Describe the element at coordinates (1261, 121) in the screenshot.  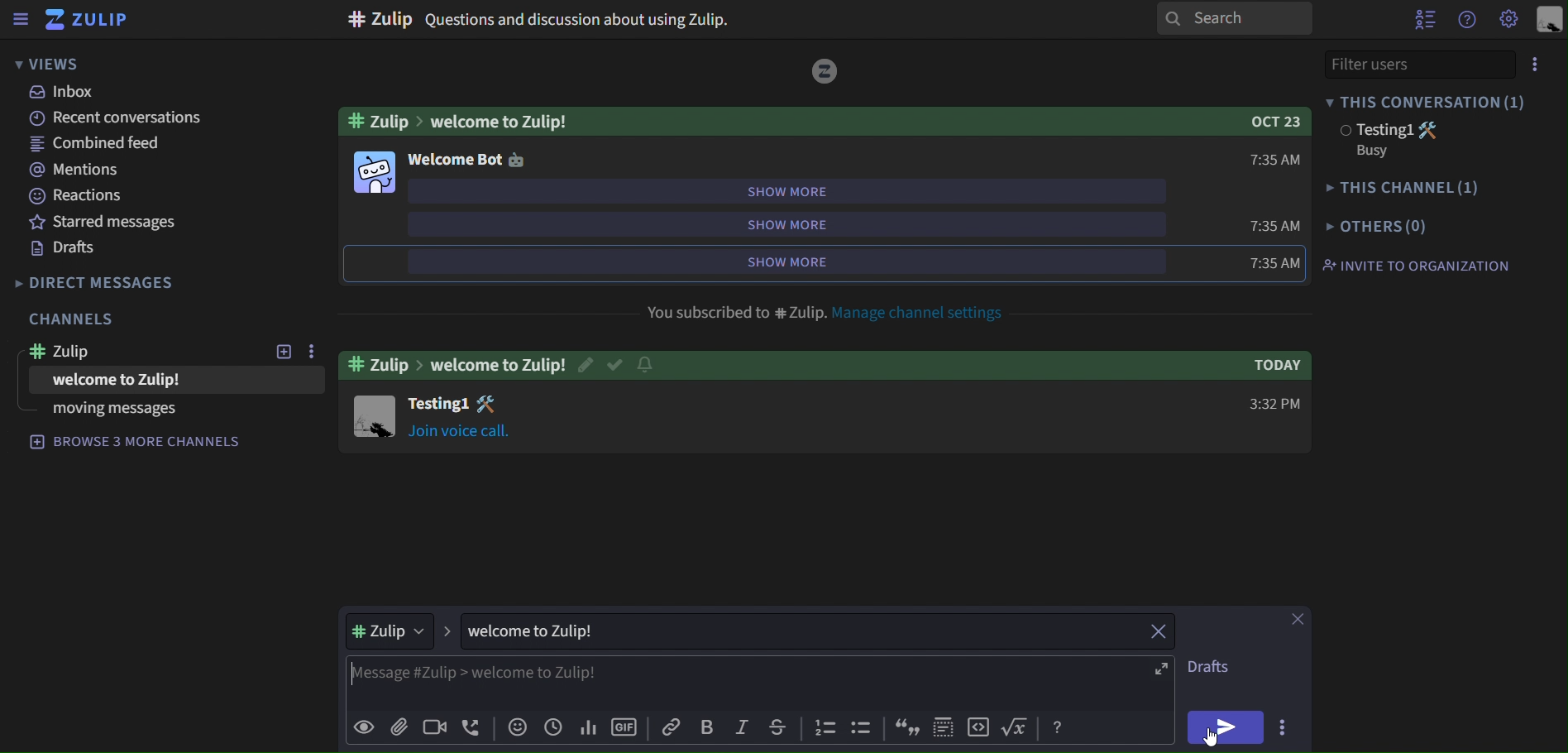
I see `Oct 23` at that location.